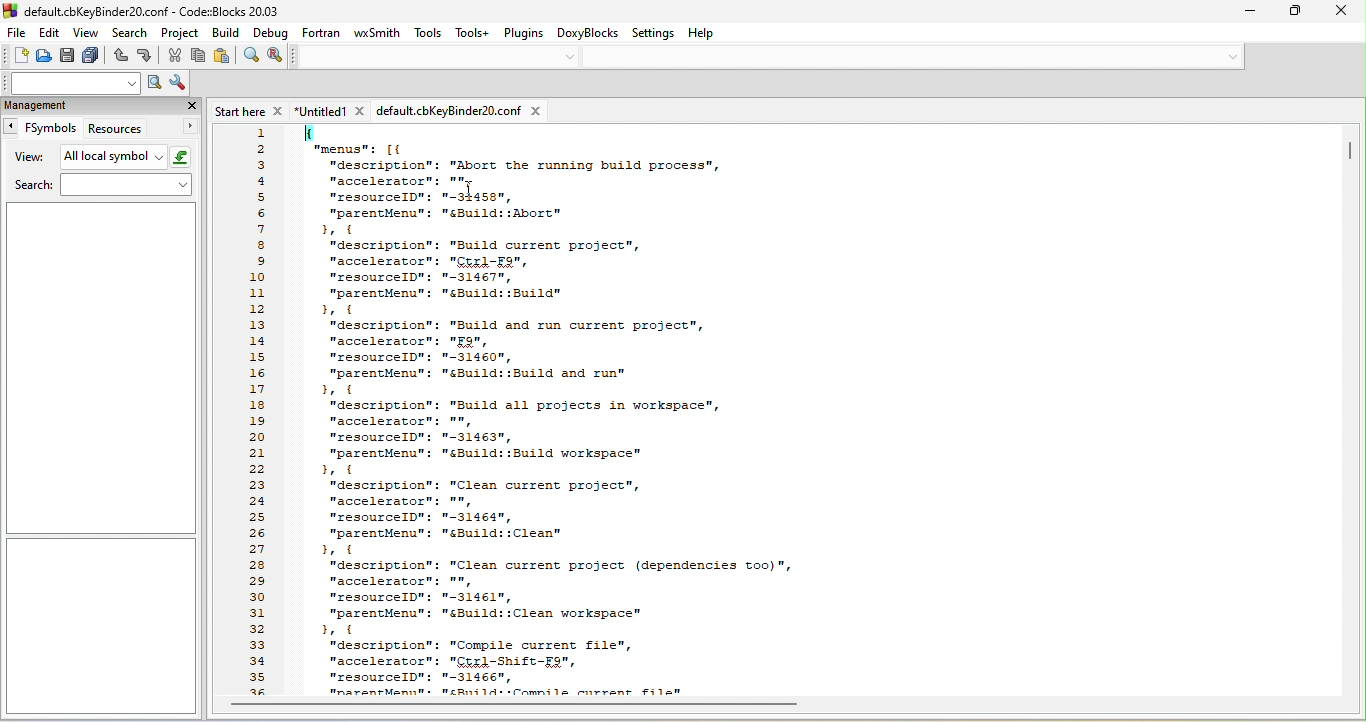 This screenshot has width=1366, height=722. Describe the element at coordinates (712, 34) in the screenshot. I see `help` at that location.